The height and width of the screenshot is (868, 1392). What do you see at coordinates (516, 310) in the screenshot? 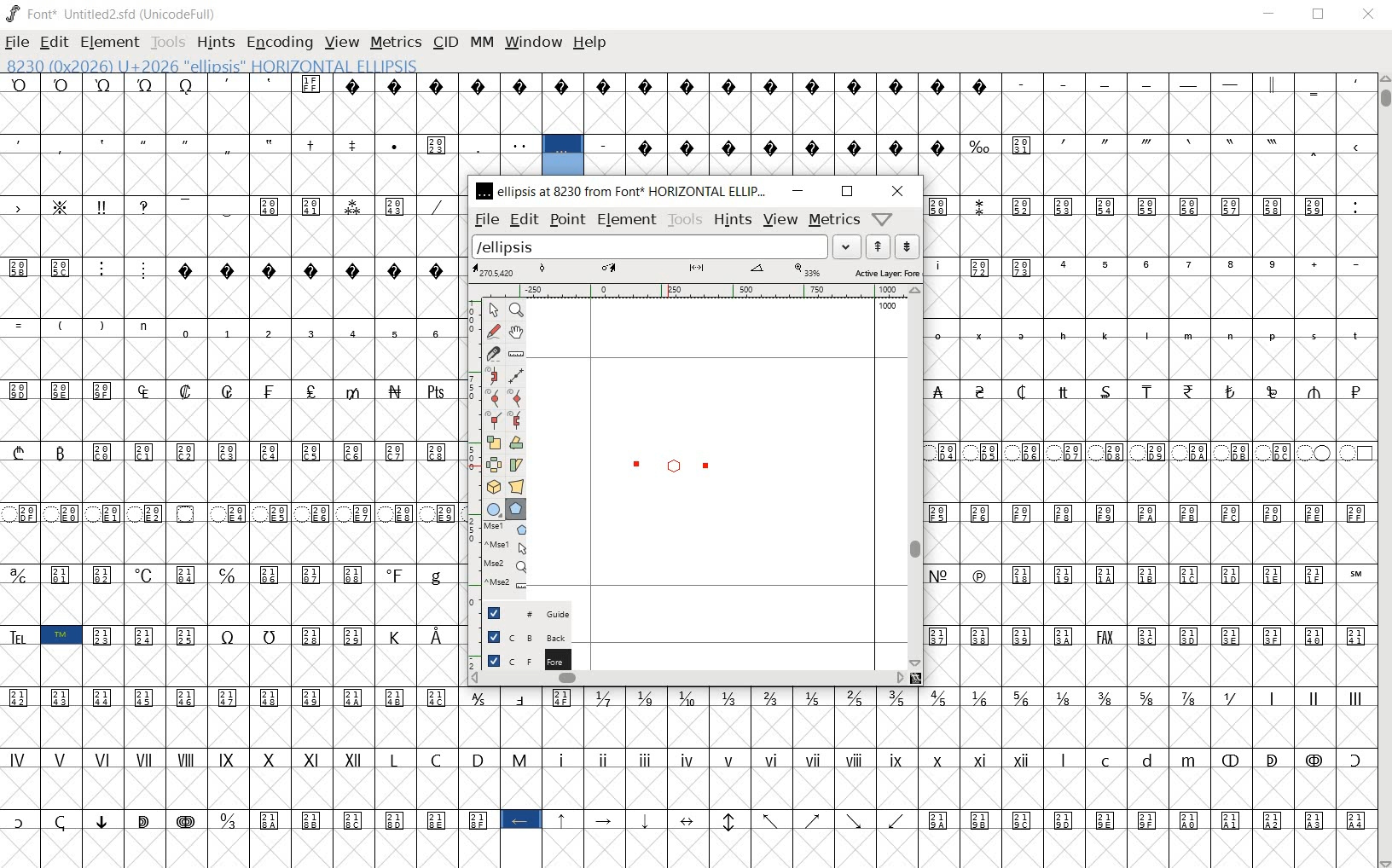
I see `MAGNIFY` at bounding box center [516, 310].